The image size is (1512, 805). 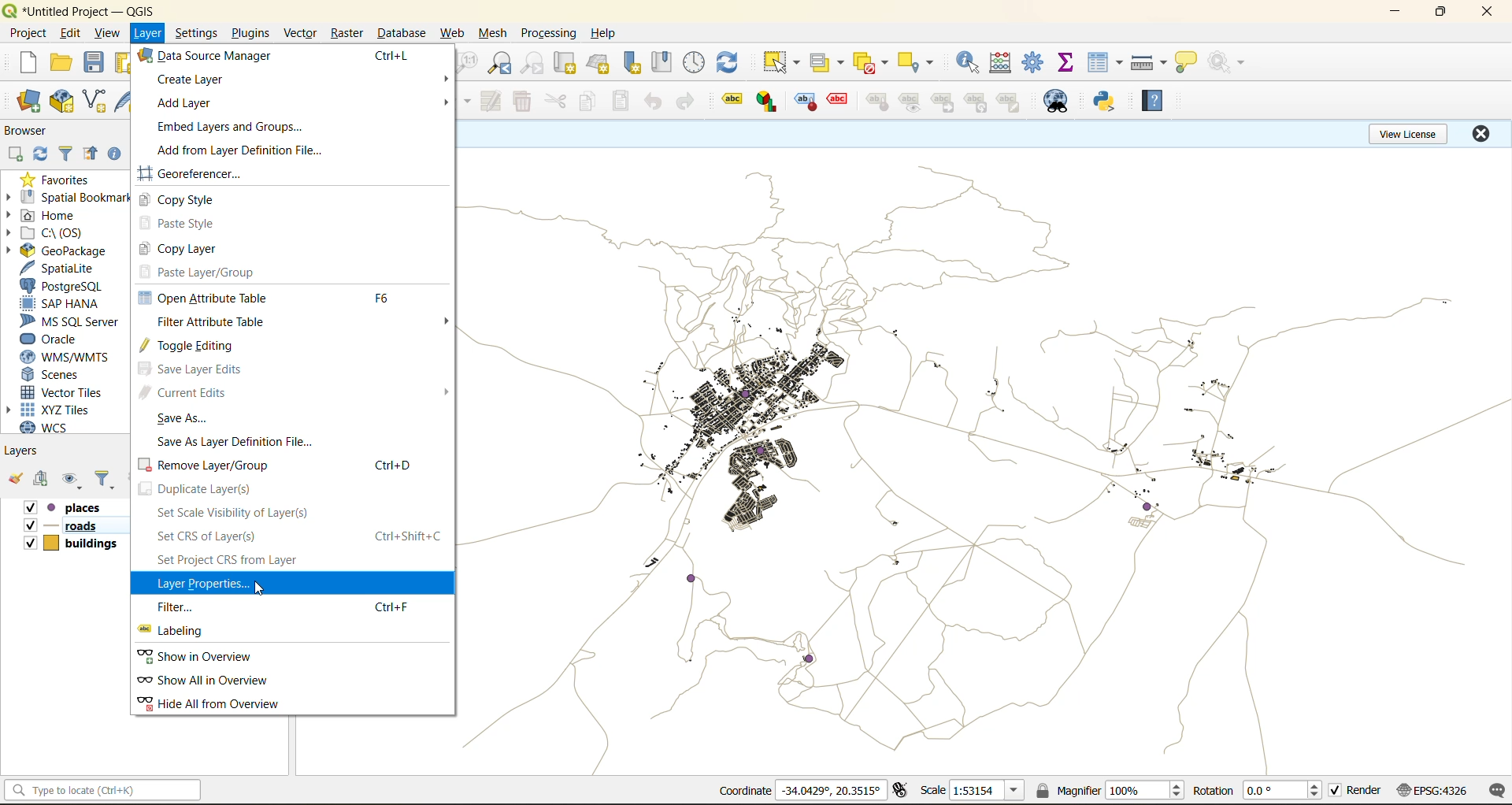 I want to click on open attribute table, so click(x=286, y=298).